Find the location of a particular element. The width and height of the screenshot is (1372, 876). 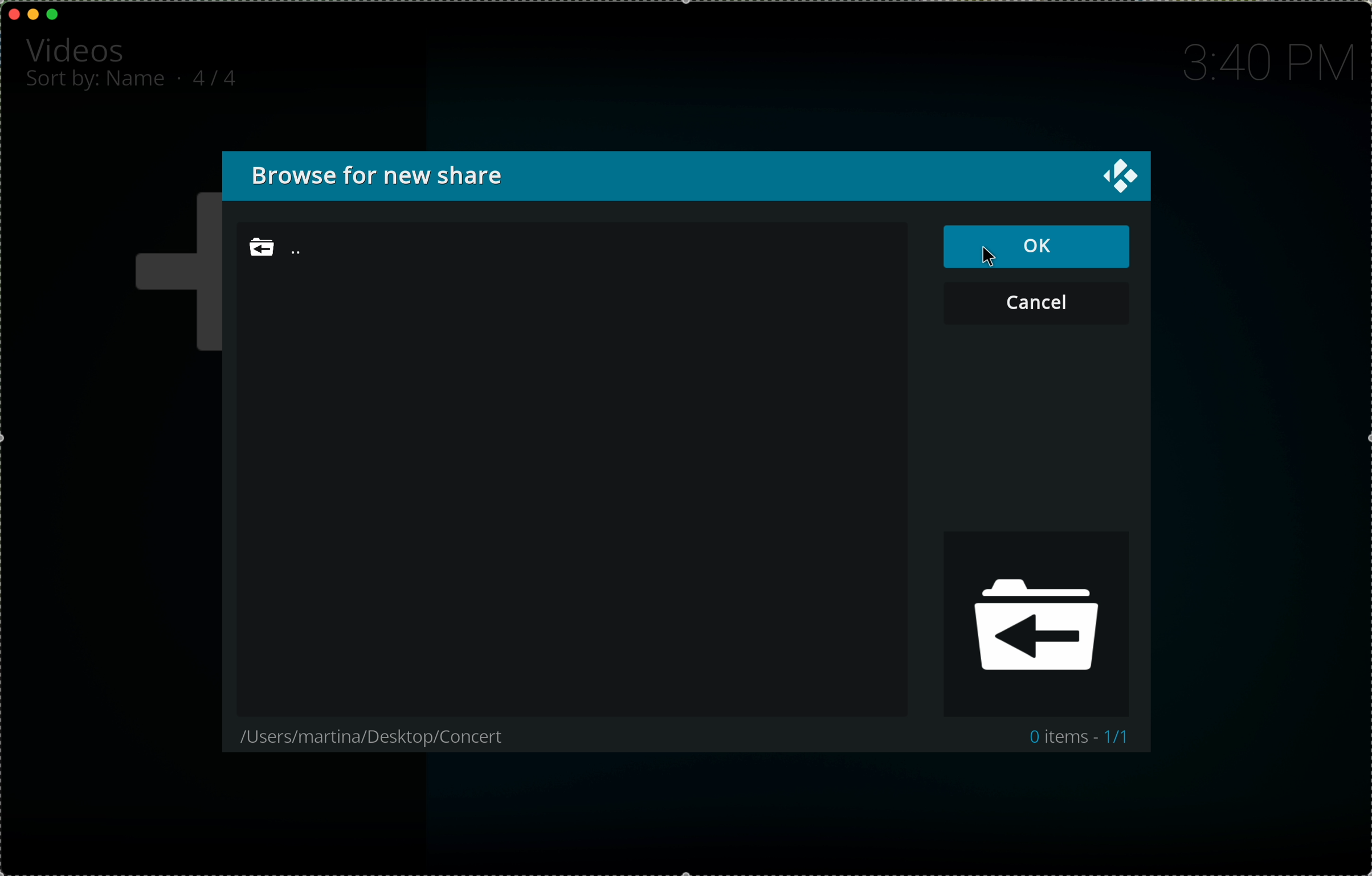

0 items is located at coordinates (1072, 739).